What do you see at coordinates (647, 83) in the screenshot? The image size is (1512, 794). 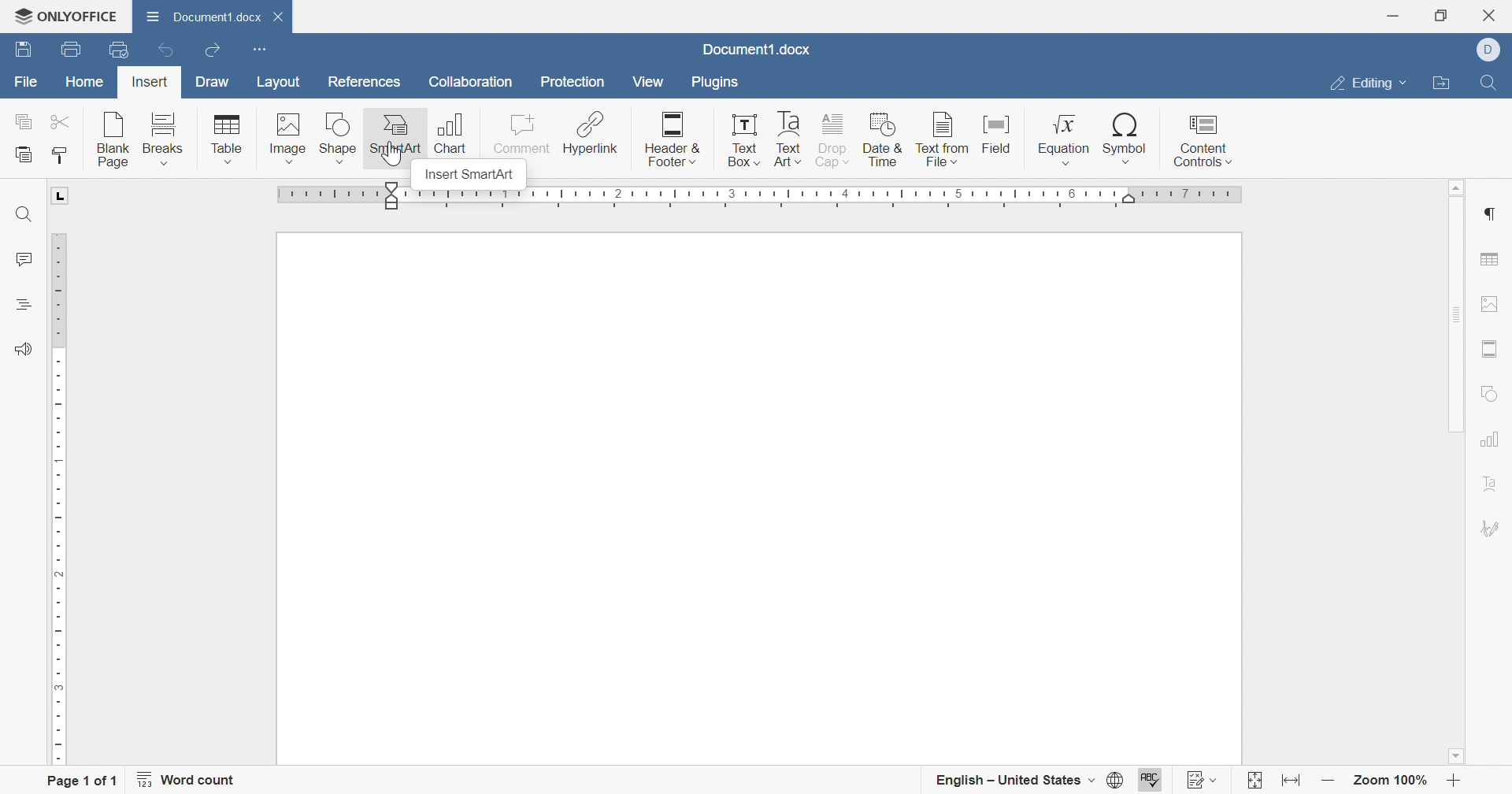 I see `View` at bounding box center [647, 83].